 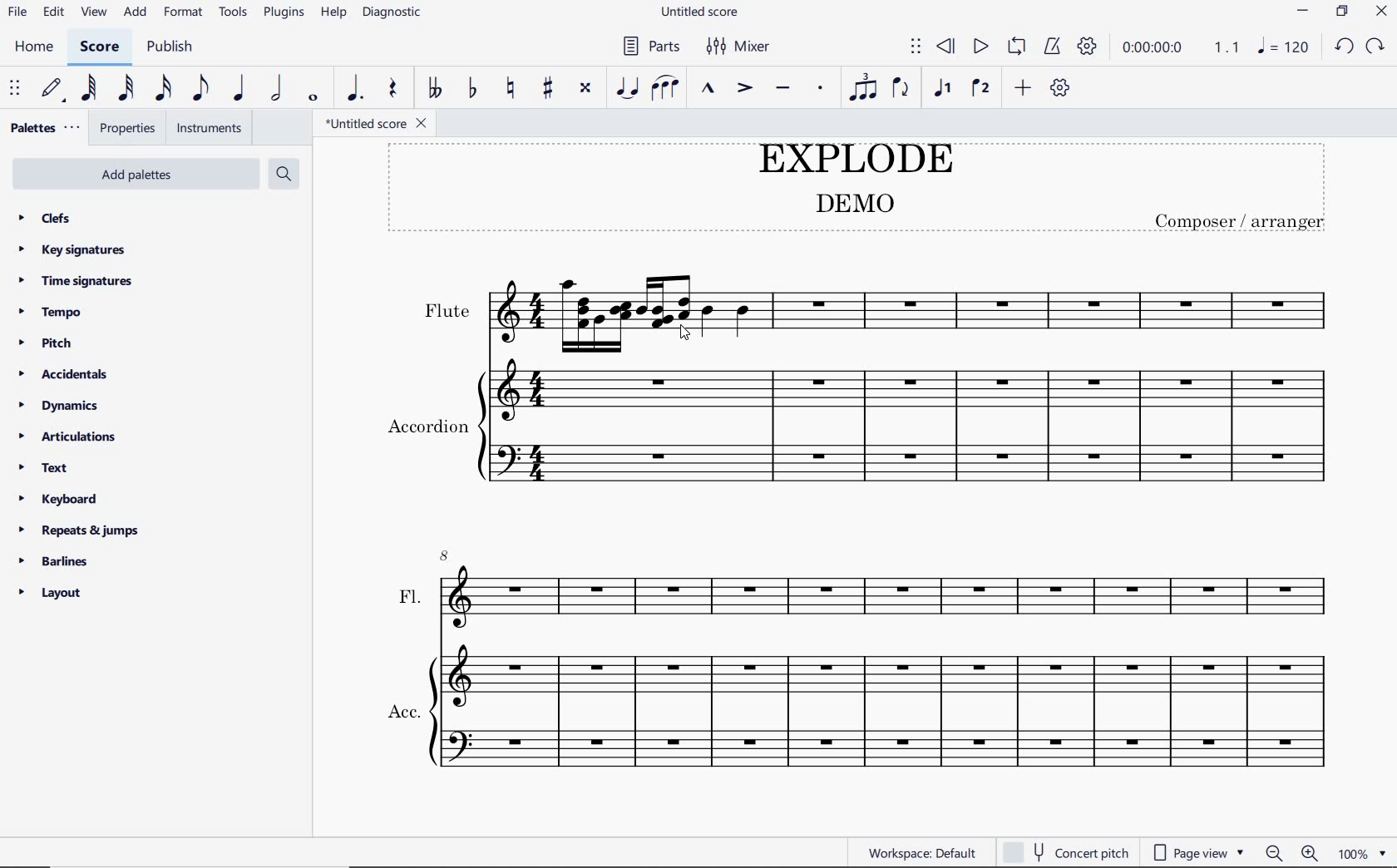 What do you see at coordinates (53, 90) in the screenshot?
I see `default (step time)` at bounding box center [53, 90].